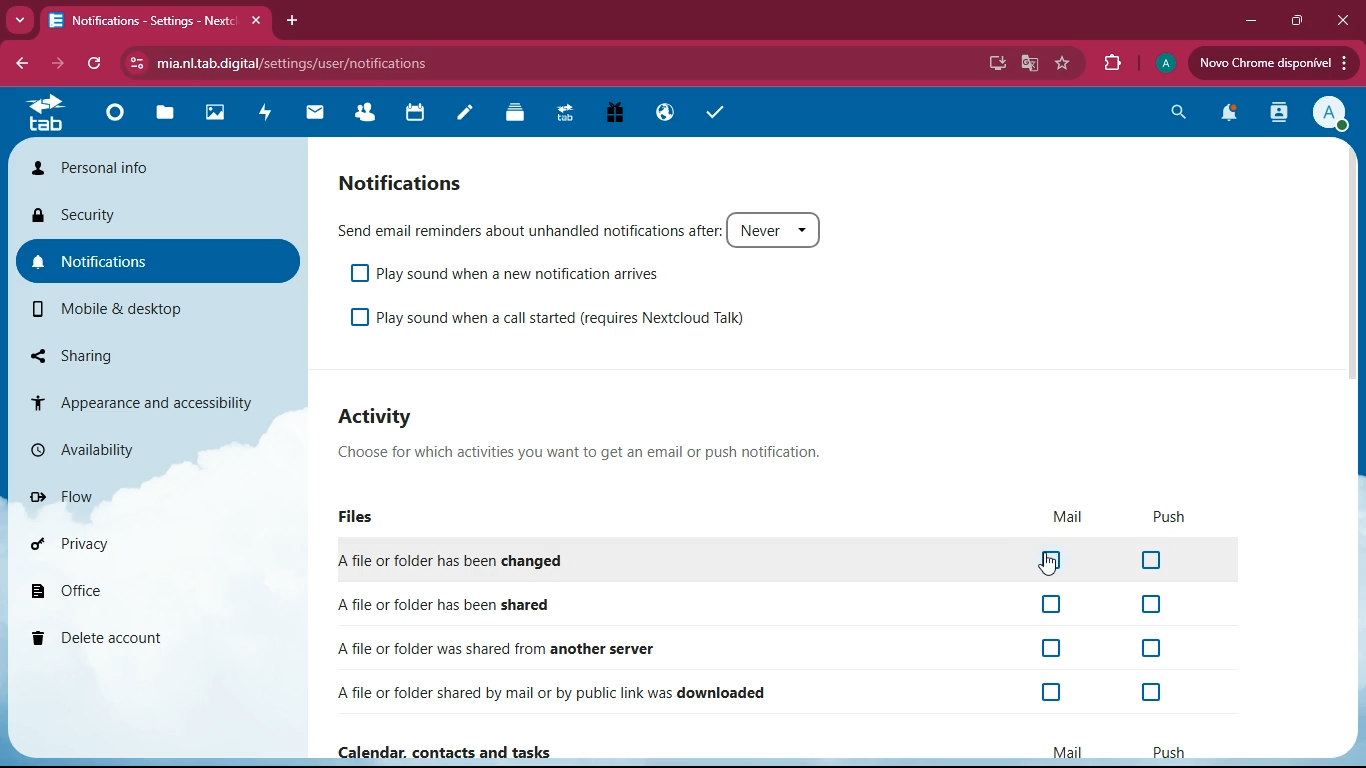  Describe the element at coordinates (152, 166) in the screenshot. I see `personal info` at that location.